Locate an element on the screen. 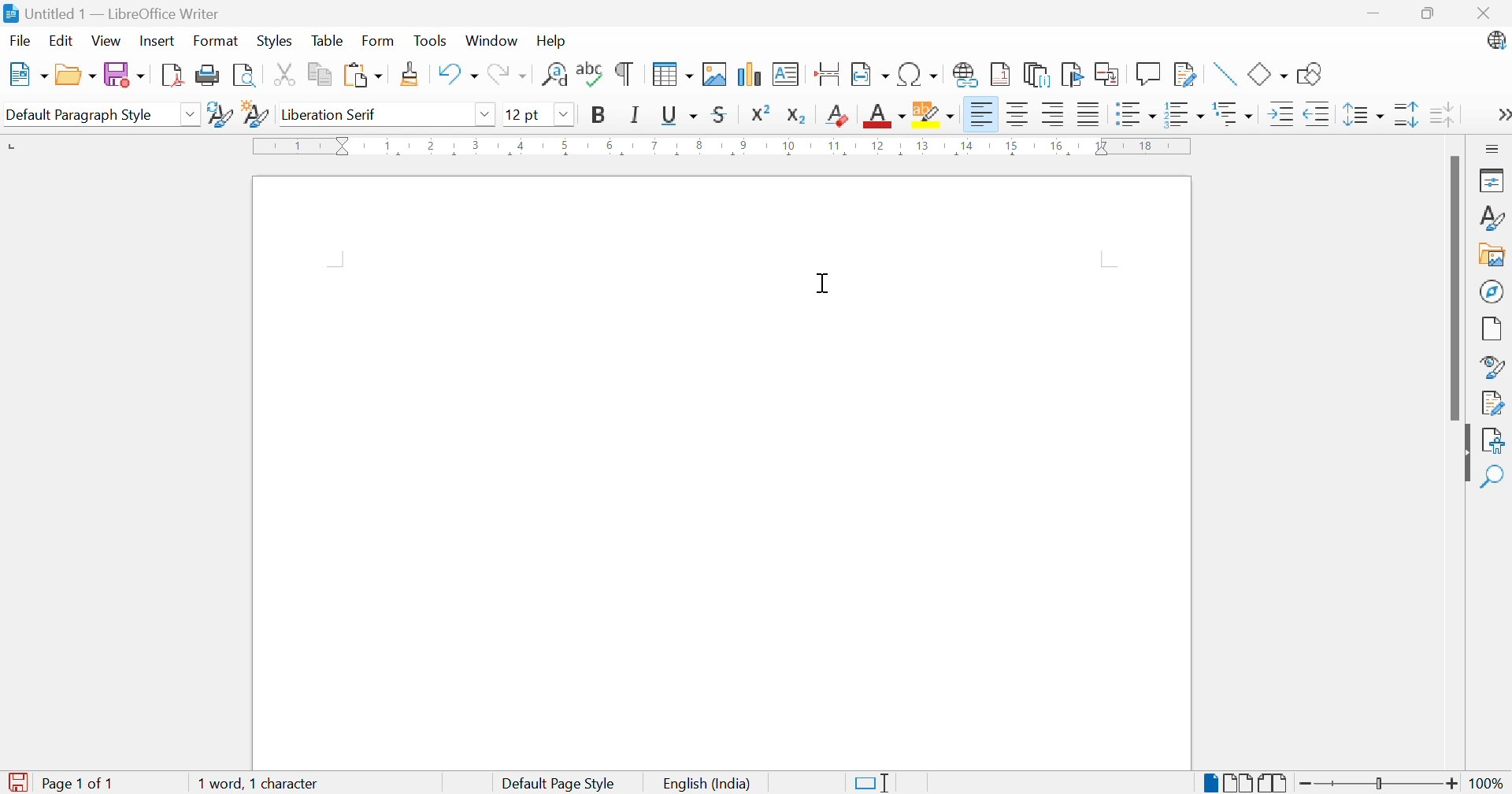 This screenshot has height=794, width=1512. 1 word, 1 character is located at coordinates (258, 783).